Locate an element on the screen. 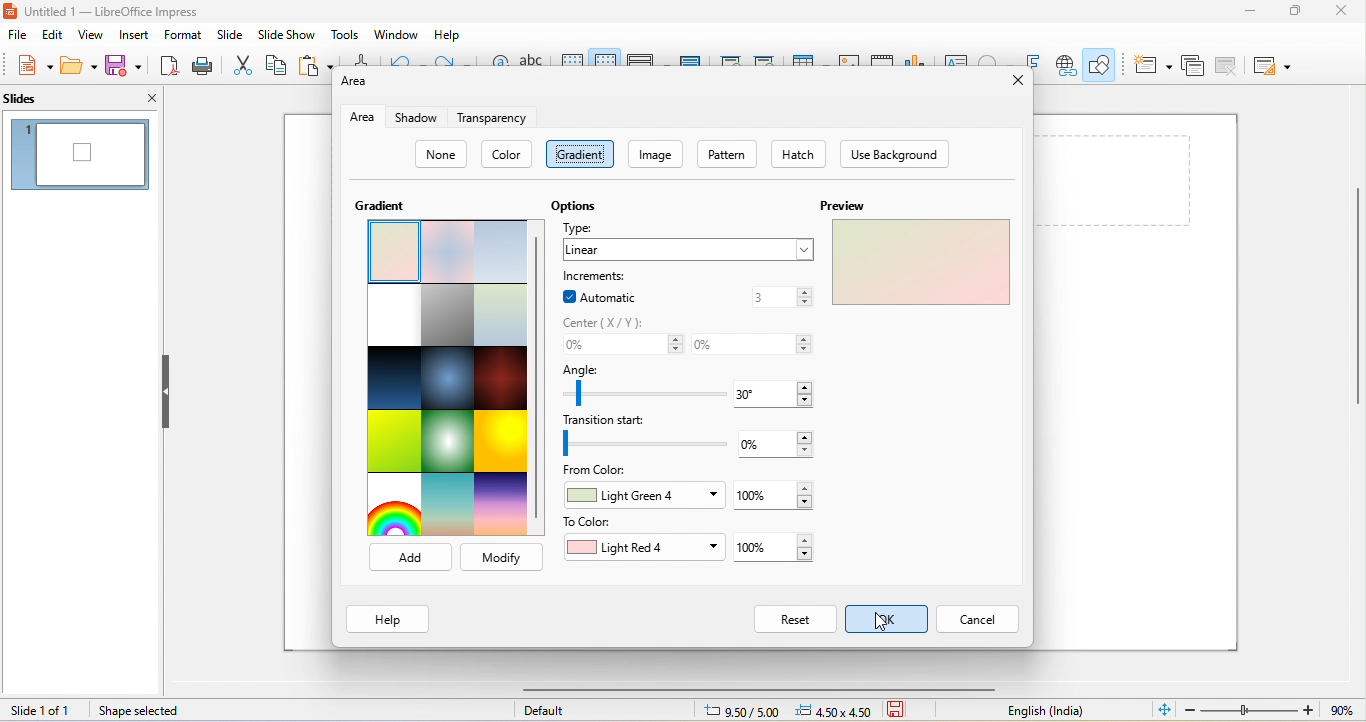  paste is located at coordinates (317, 64).